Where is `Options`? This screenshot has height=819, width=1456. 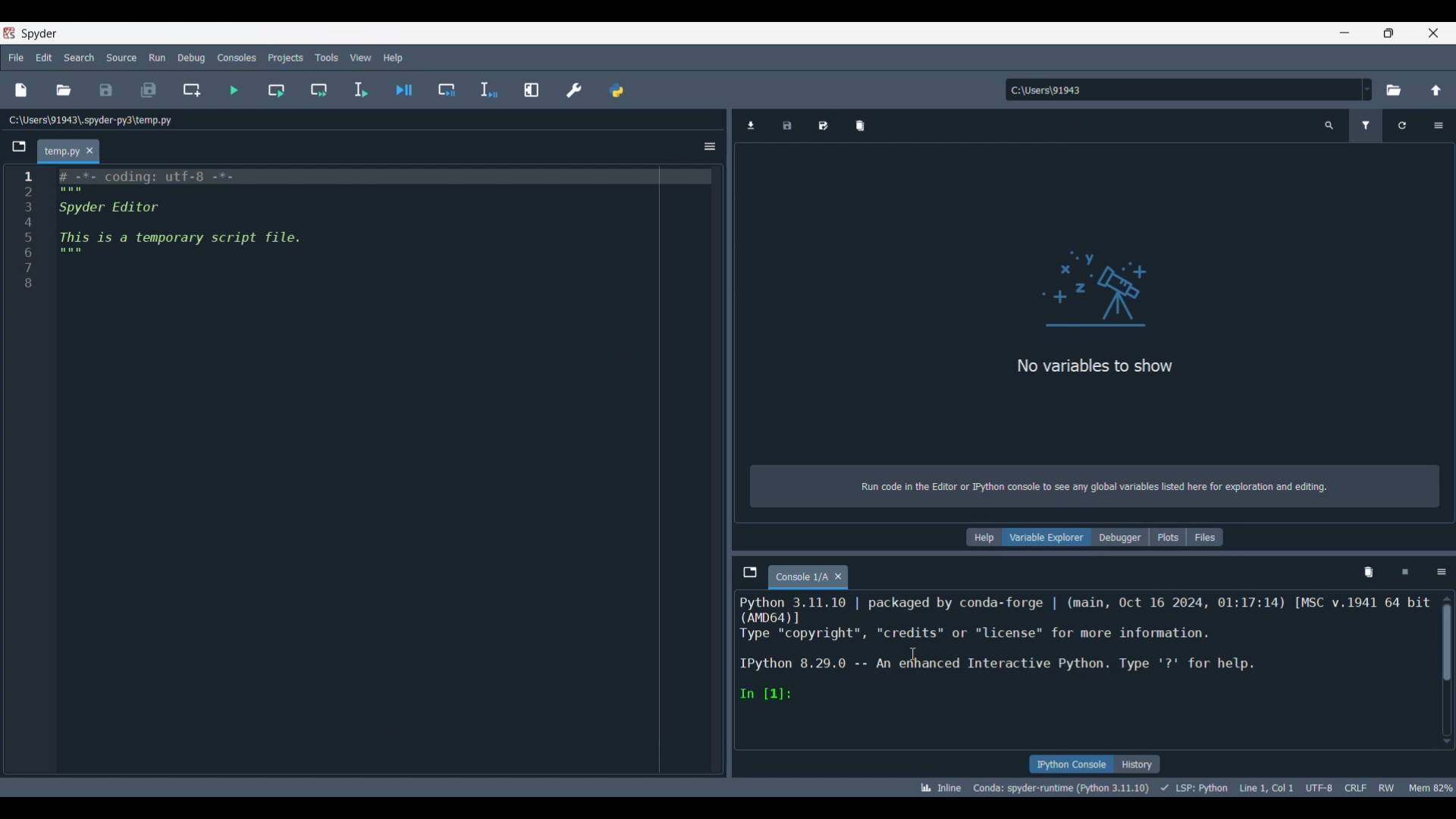 Options is located at coordinates (710, 146).